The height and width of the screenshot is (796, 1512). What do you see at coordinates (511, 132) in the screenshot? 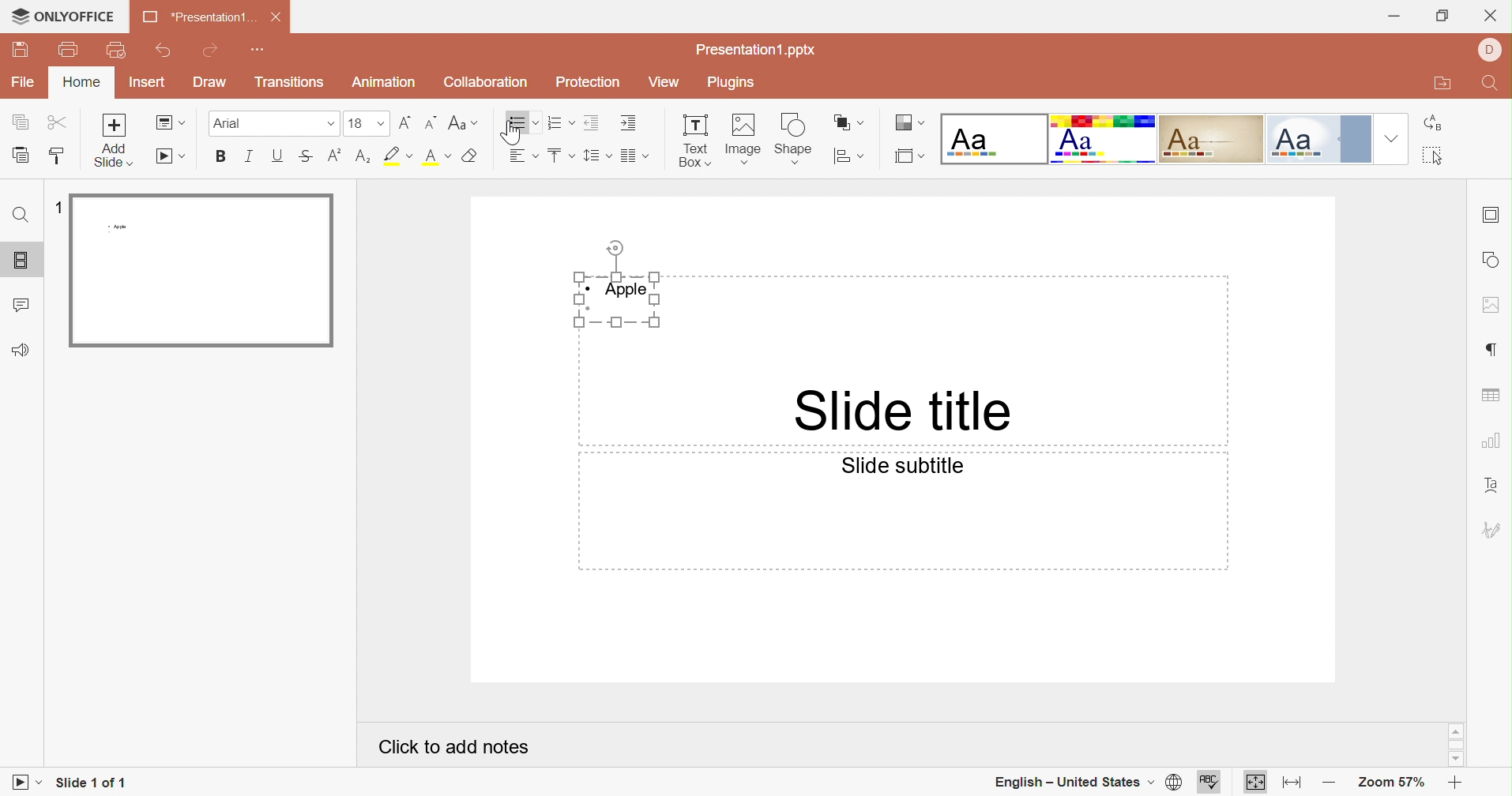
I see `Cursor` at bounding box center [511, 132].